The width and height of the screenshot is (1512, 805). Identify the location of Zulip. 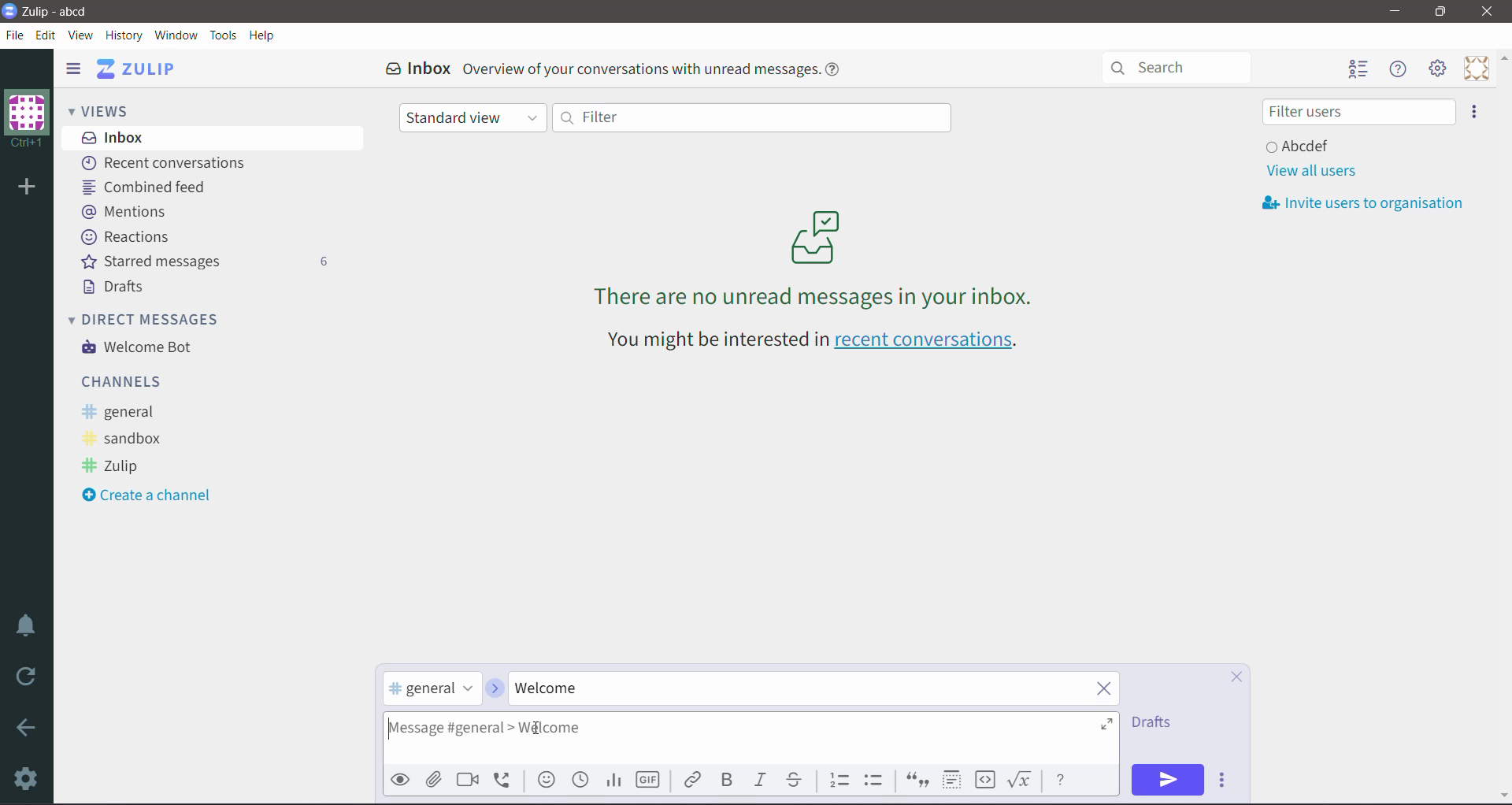
(115, 467).